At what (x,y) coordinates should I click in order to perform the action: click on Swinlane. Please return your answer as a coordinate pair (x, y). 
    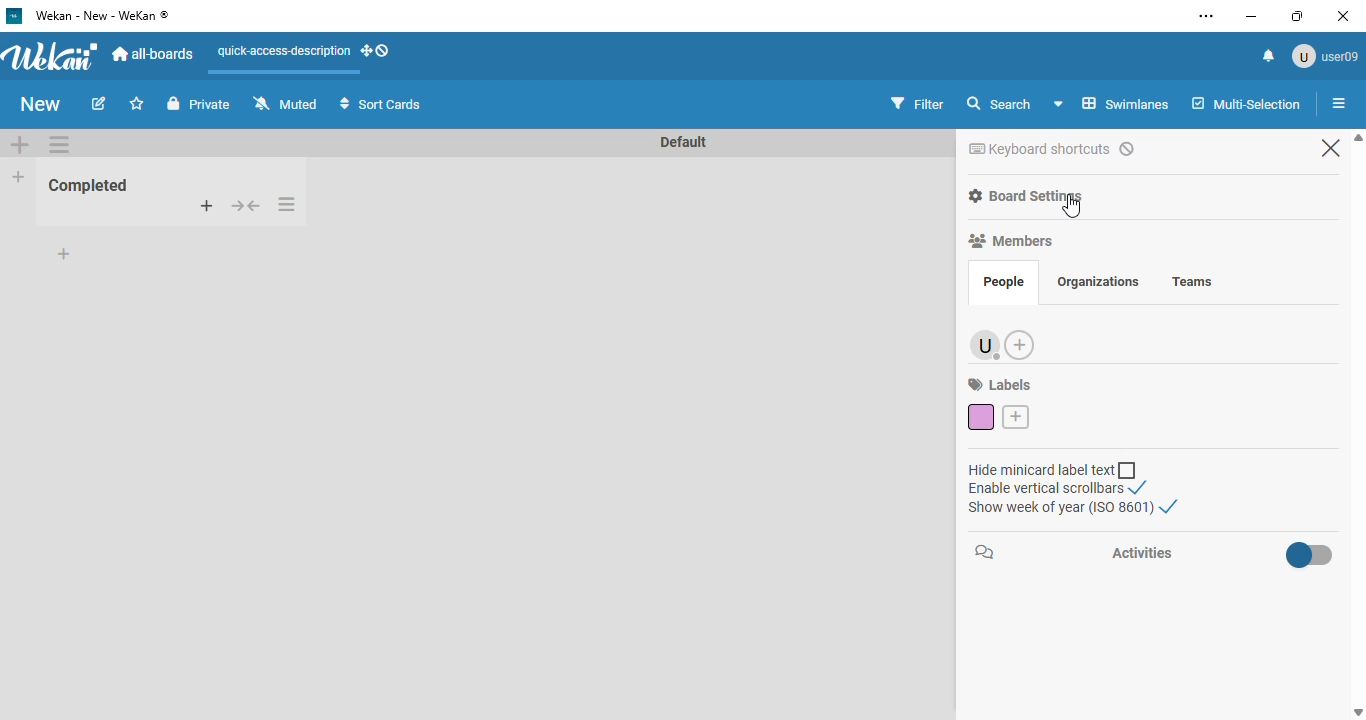
    Looking at the image, I should click on (1112, 103).